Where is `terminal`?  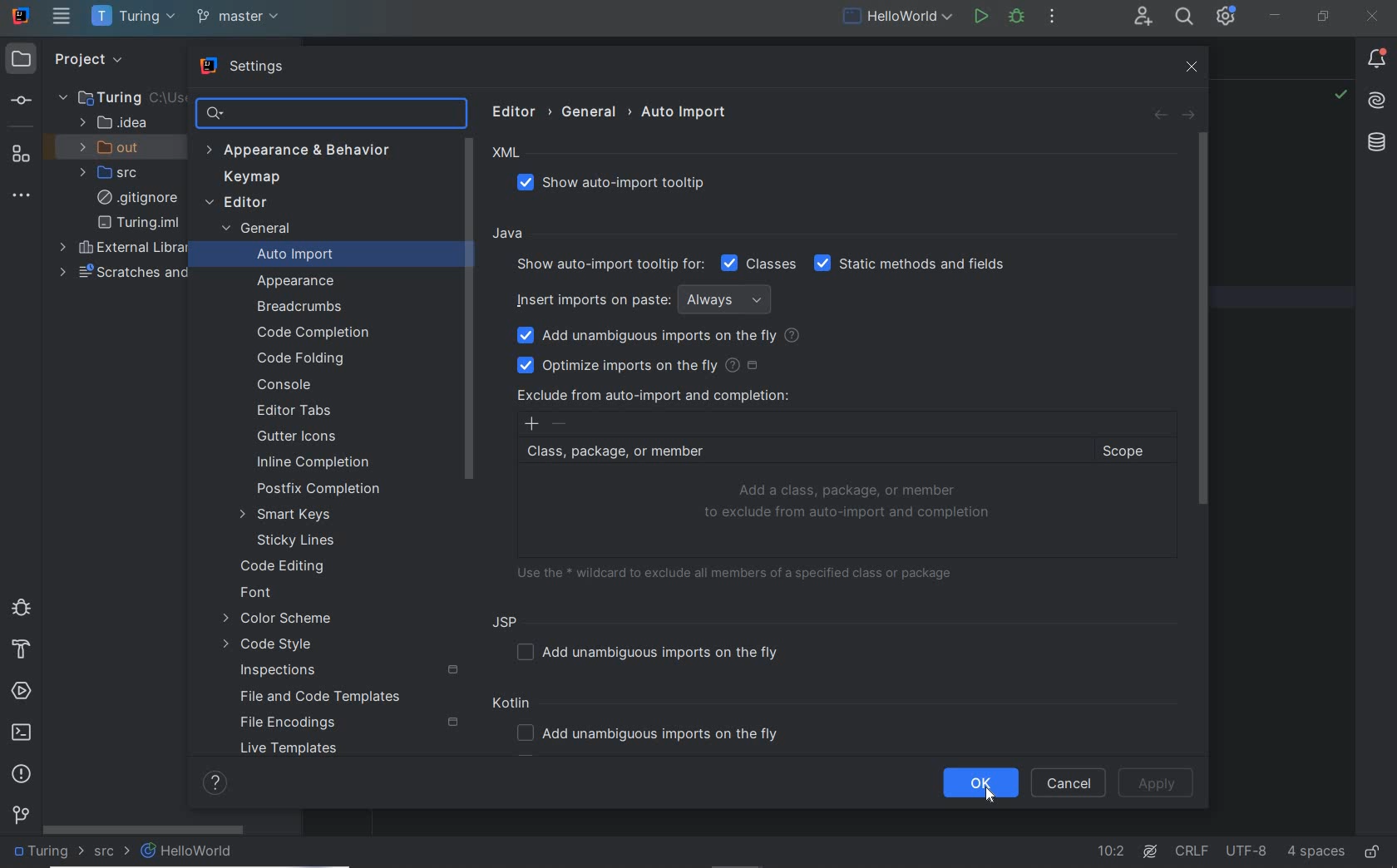 terminal is located at coordinates (23, 733).